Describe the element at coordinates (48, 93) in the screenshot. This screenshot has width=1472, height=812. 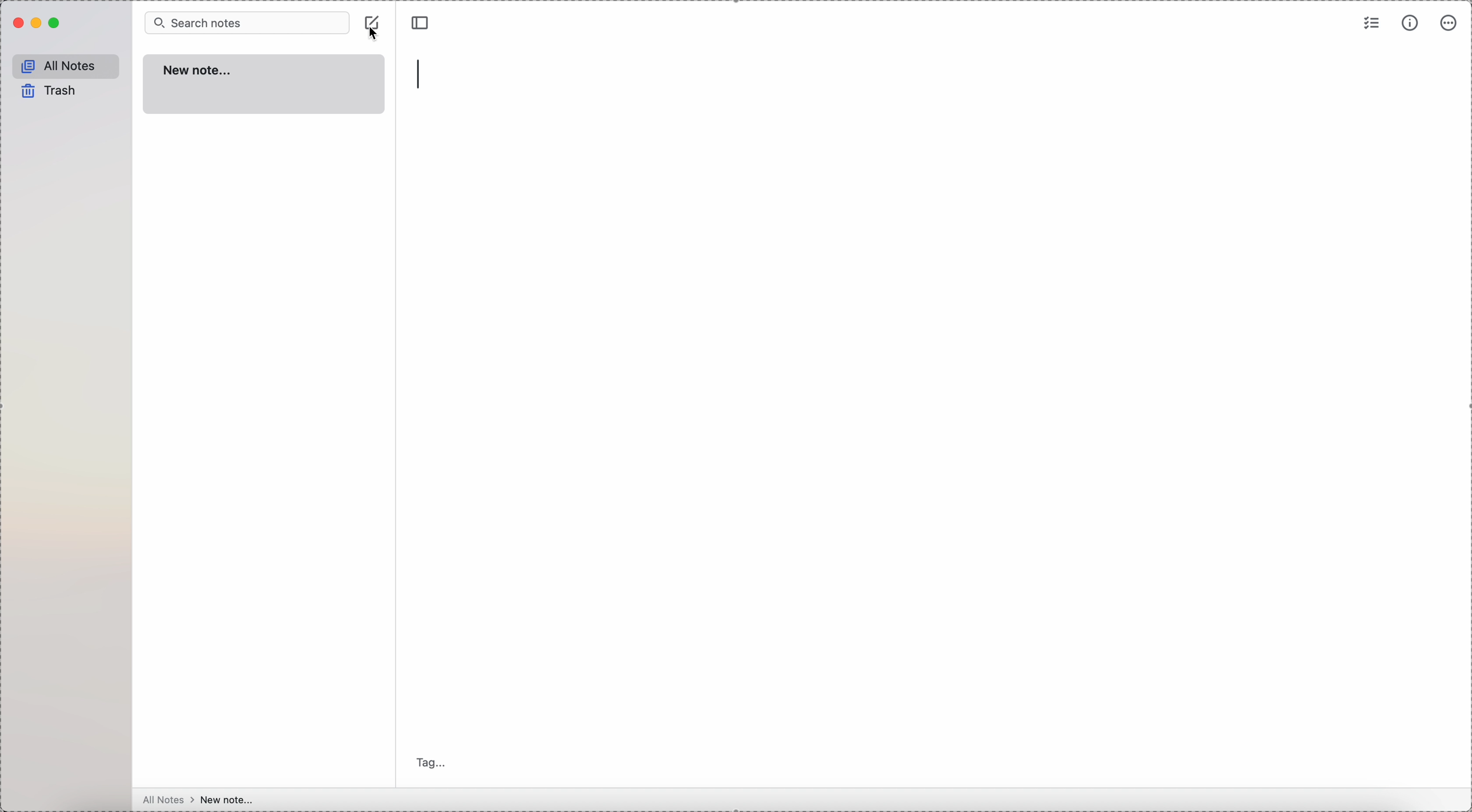
I see `trash` at that location.